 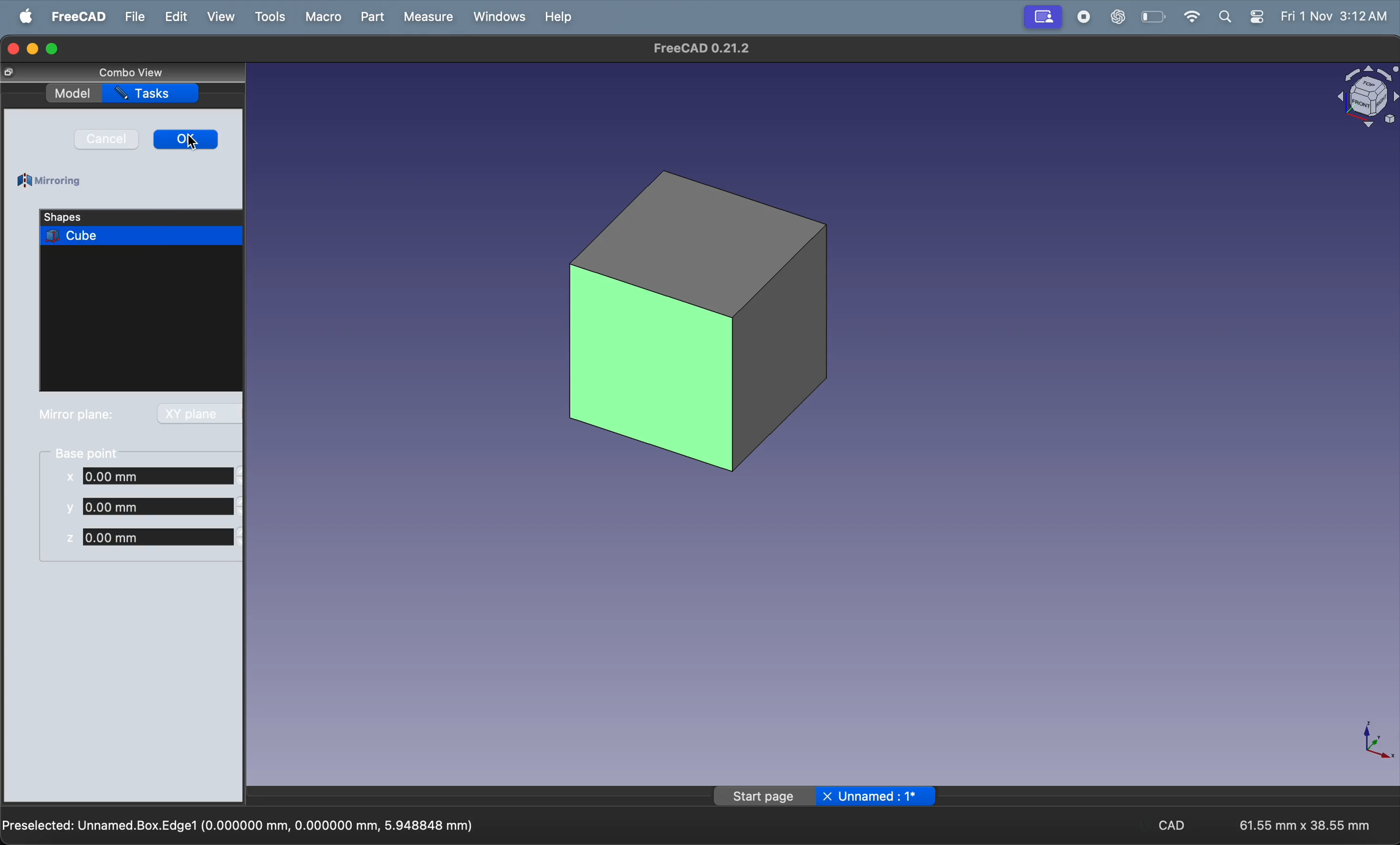 I want to click on Preselected: Unnamed.Box.Edge1 (0.000000 mm, 0.000000 mm, 5.948848 mm), so click(x=240, y=824).